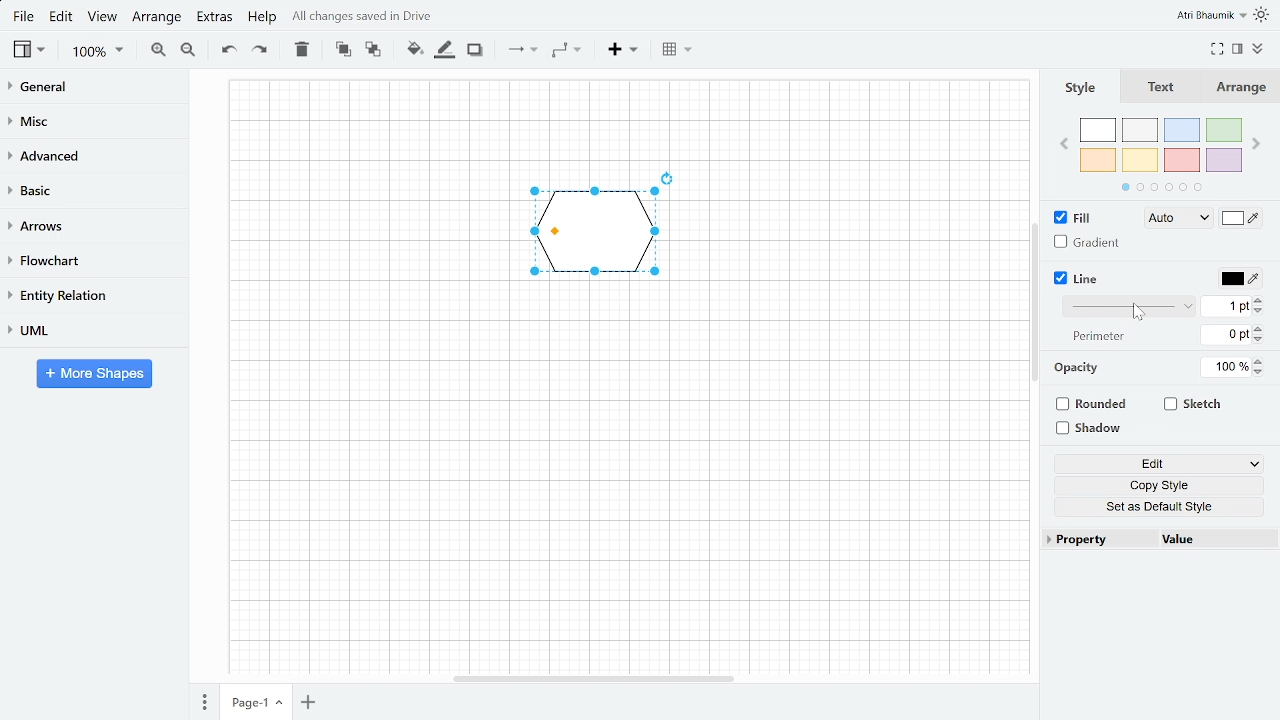  Describe the element at coordinates (93, 190) in the screenshot. I see `Basic` at that location.